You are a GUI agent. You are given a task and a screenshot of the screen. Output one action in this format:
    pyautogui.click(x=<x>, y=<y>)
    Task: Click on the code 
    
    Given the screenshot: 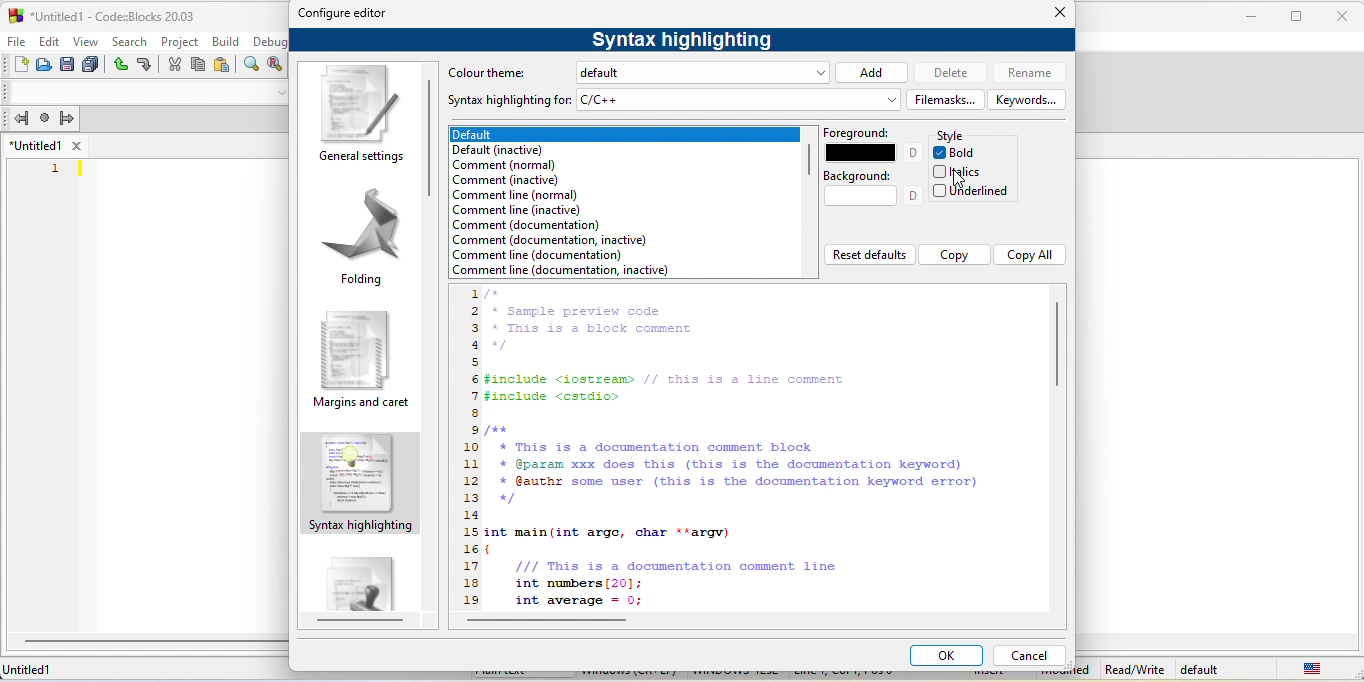 What is the action you would take?
    pyautogui.click(x=688, y=567)
    